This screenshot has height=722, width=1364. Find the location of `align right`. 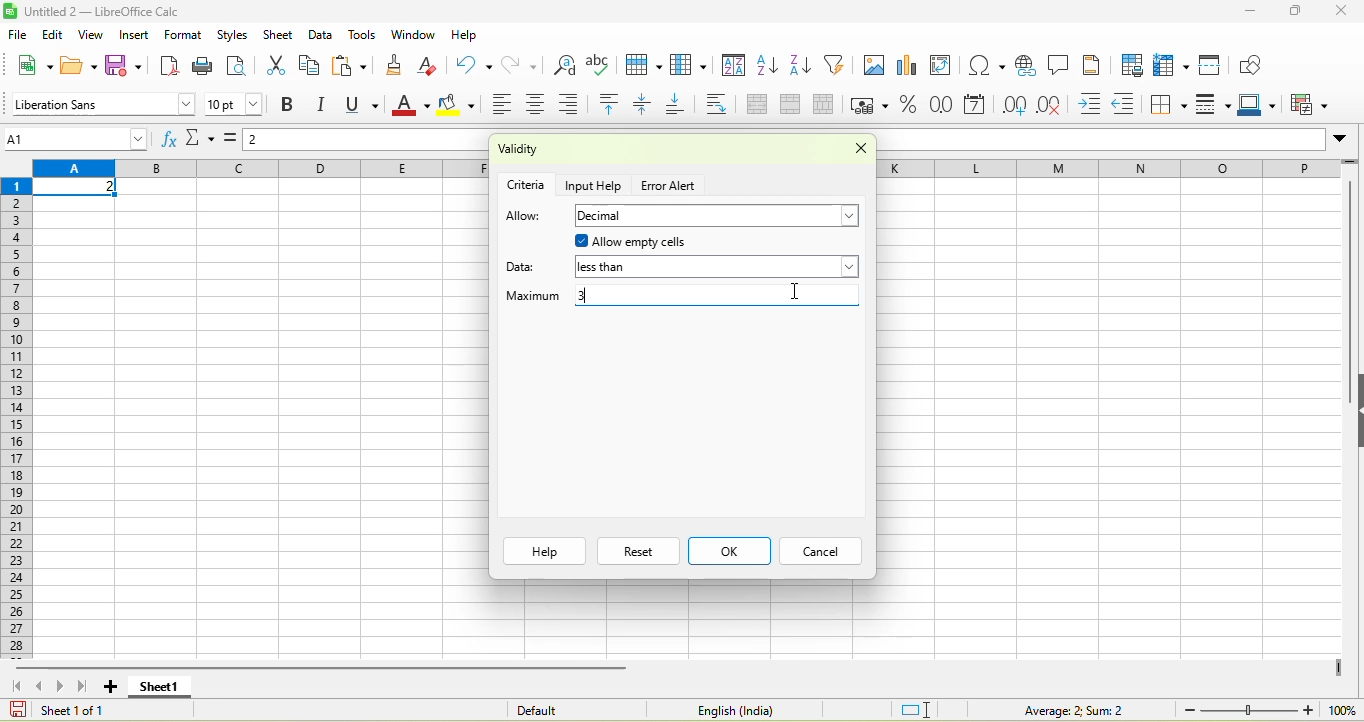

align right is located at coordinates (575, 104).